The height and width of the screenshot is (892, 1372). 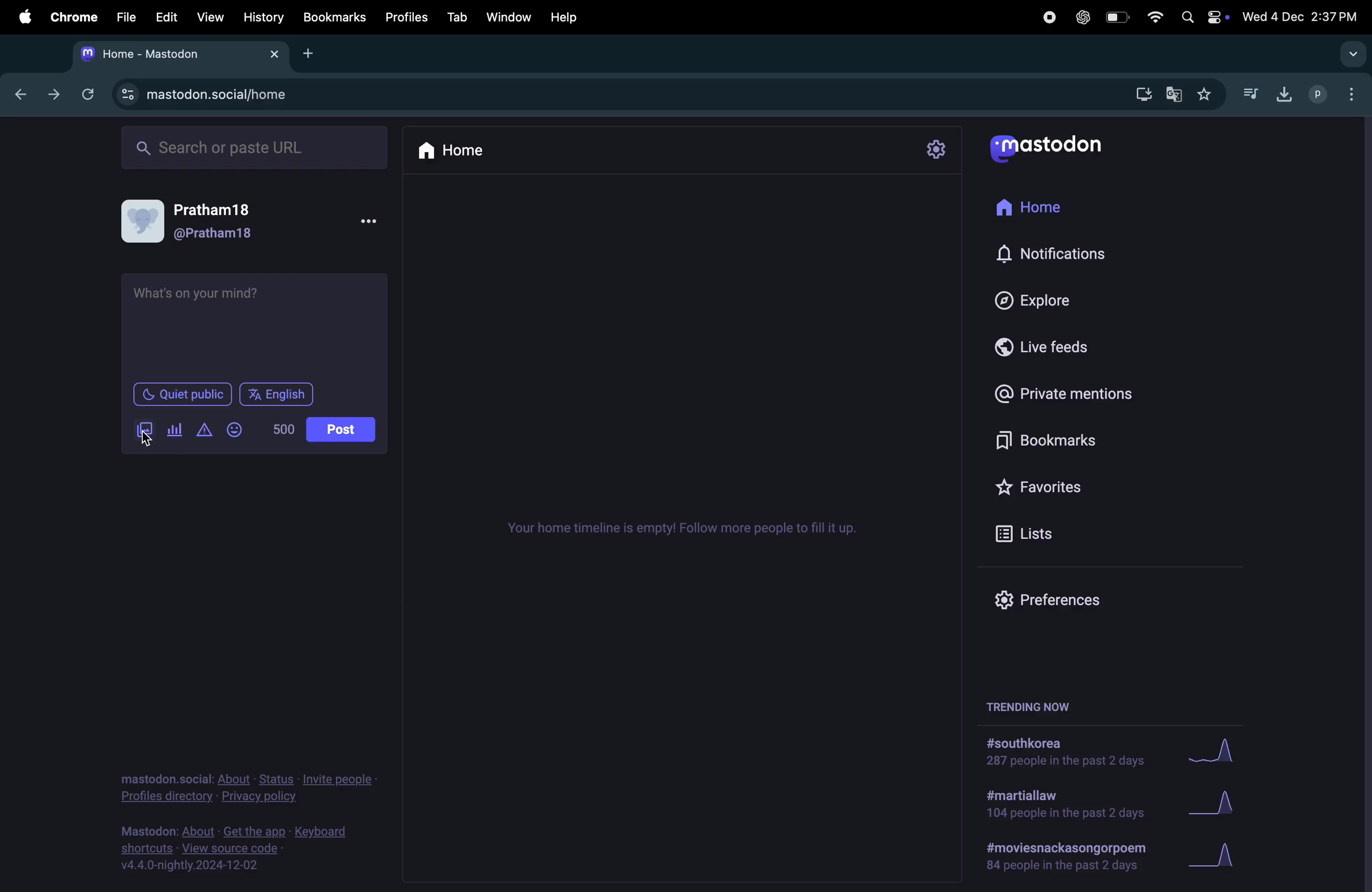 I want to click on graph, so click(x=1212, y=751).